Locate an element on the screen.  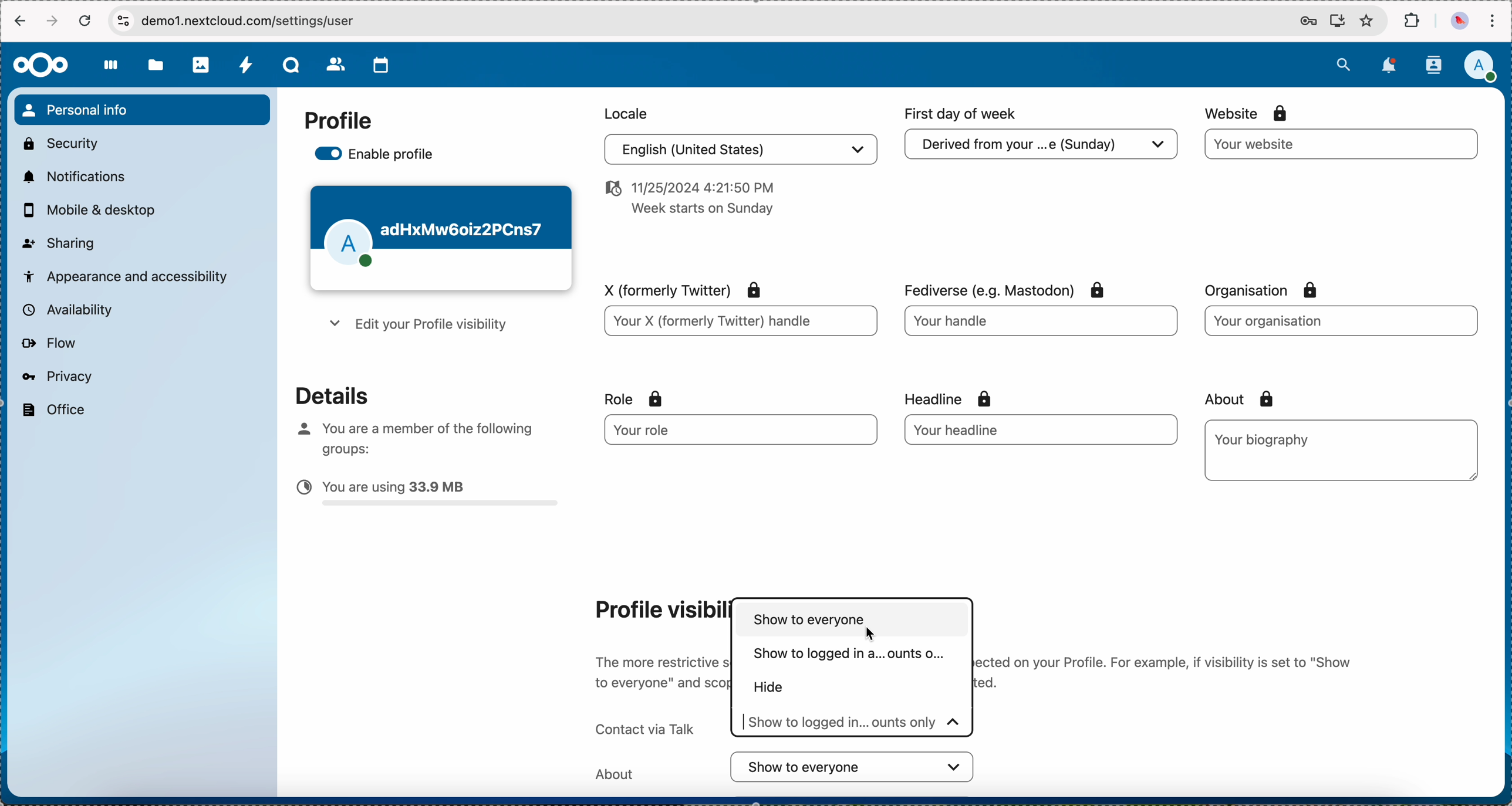
locale is located at coordinates (623, 112).